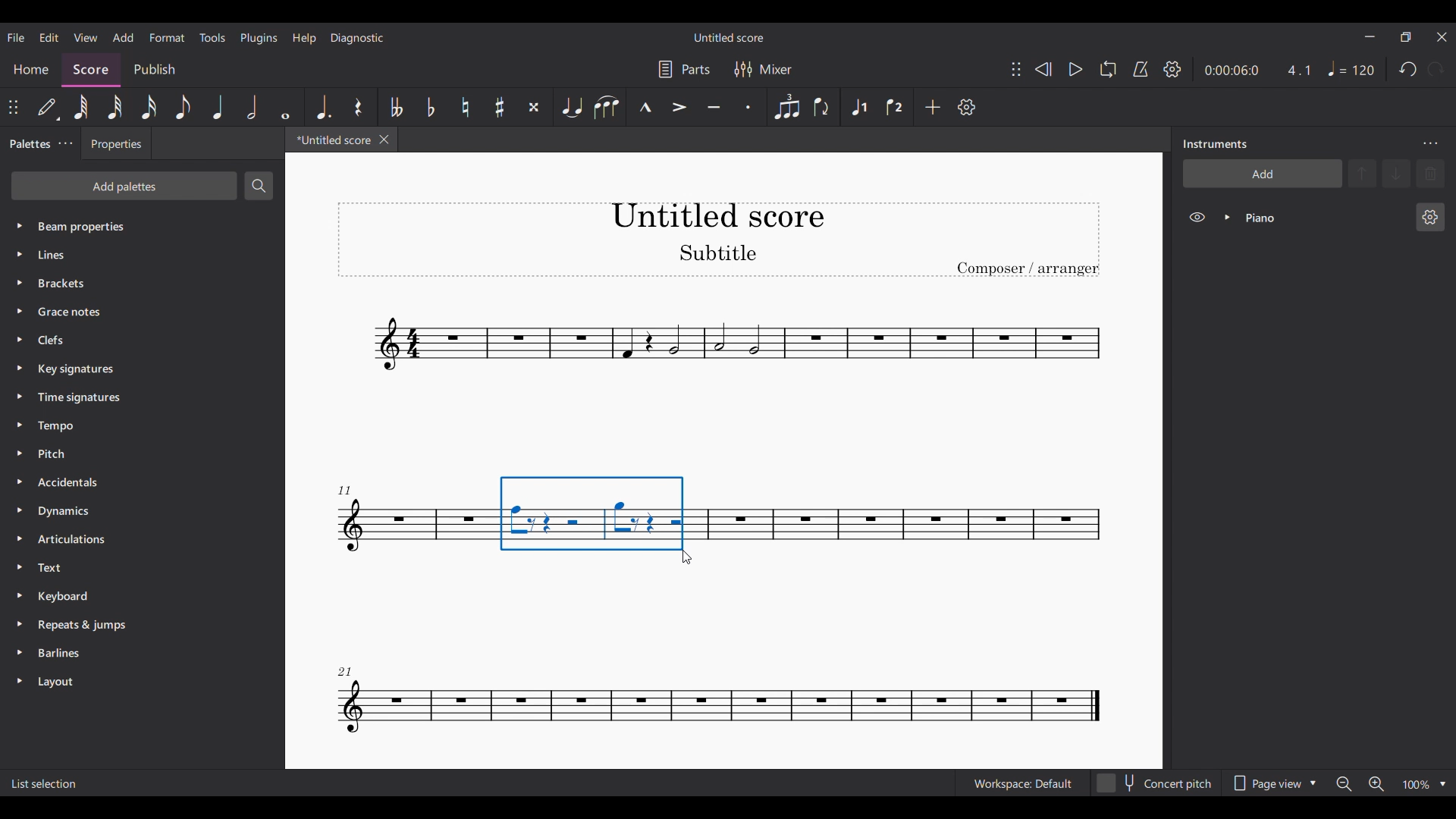 The height and width of the screenshot is (819, 1456). What do you see at coordinates (91, 67) in the screenshot?
I see `Score, current section highlighted` at bounding box center [91, 67].